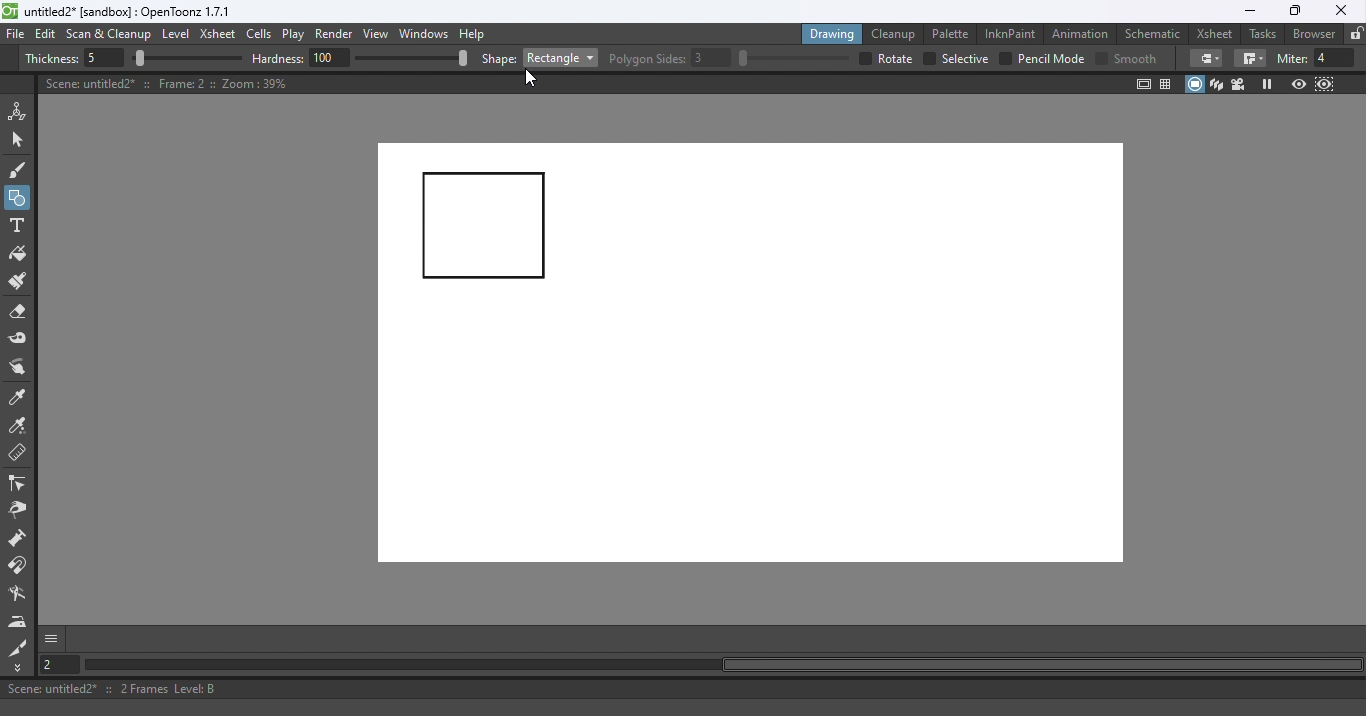 This screenshot has height=716, width=1366. What do you see at coordinates (532, 81) in the screenshot?
I see `Cursor` at bounding box center [532, 81].